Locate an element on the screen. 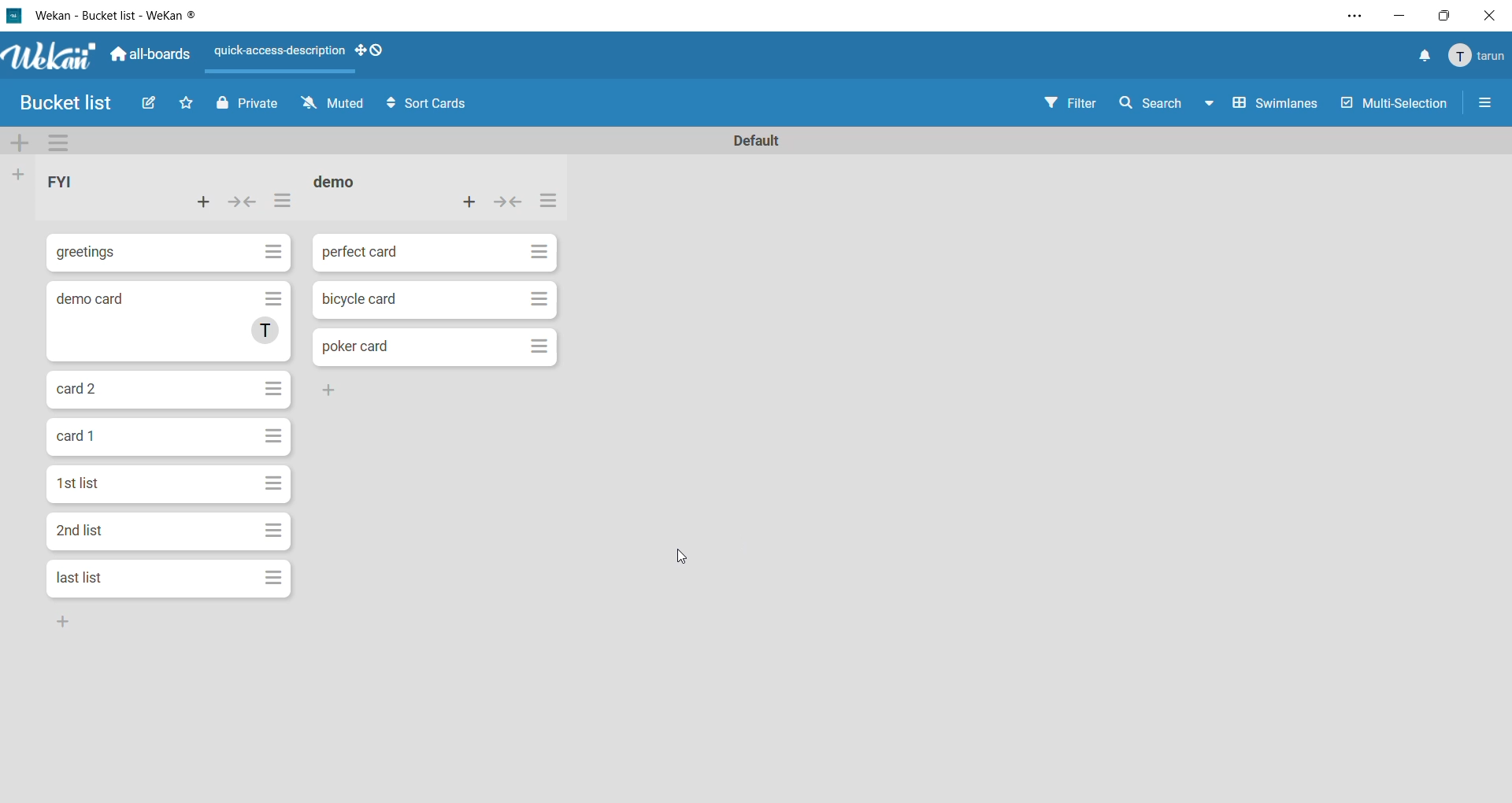  minimize is located at coordinates (1403, 16).